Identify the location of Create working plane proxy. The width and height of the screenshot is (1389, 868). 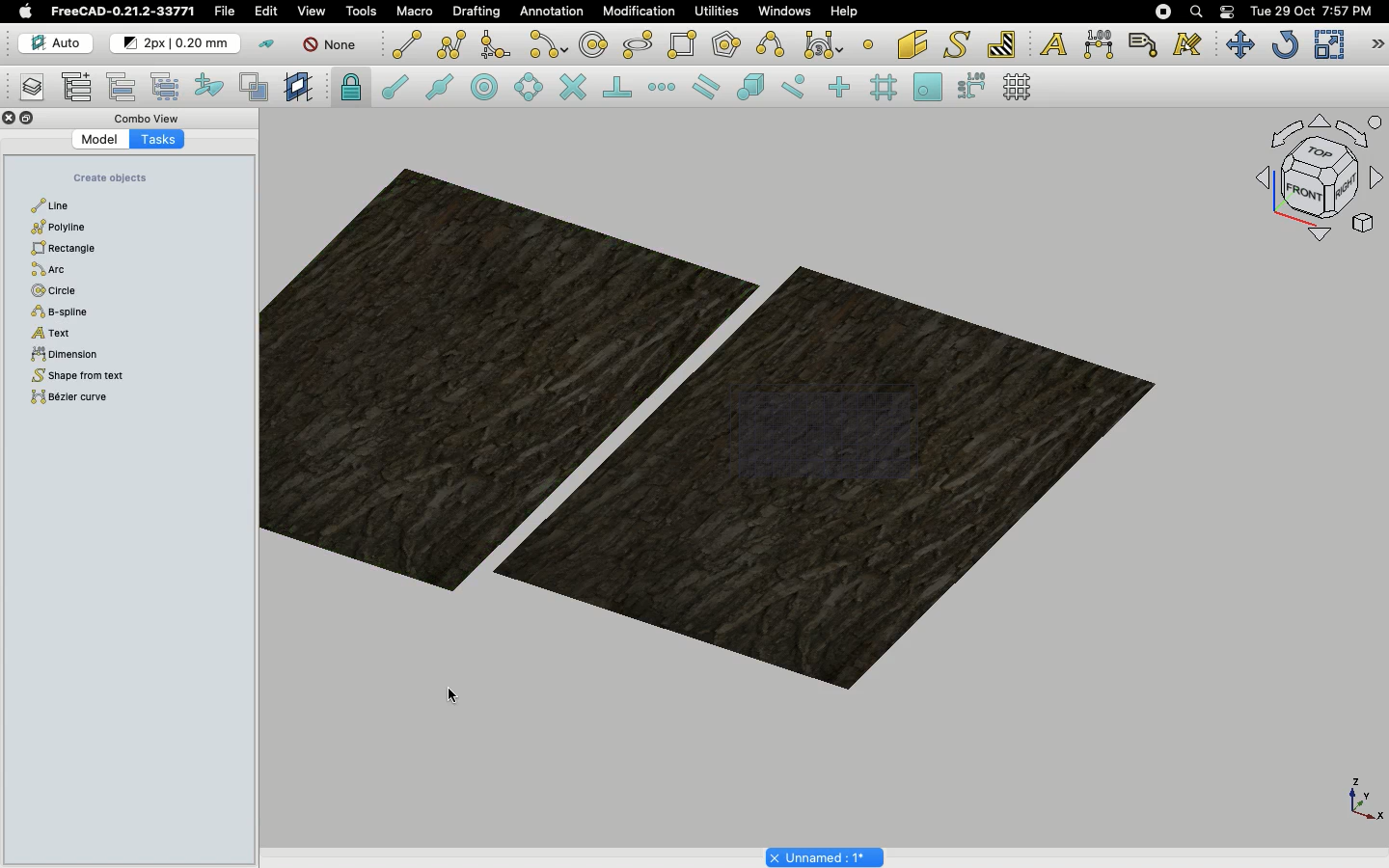
(301, 88).